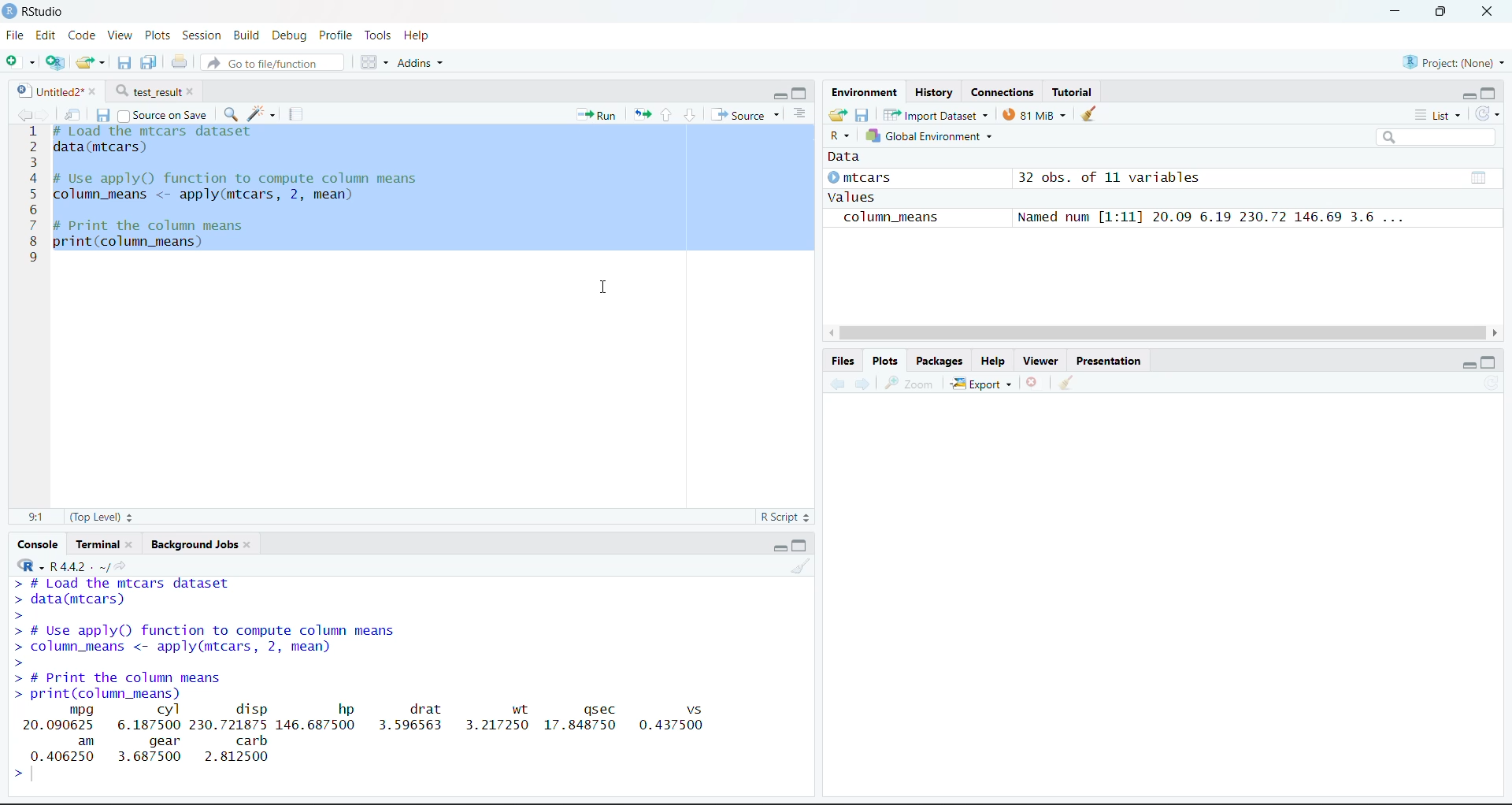 The height and width of the screenshot is (805, 1512). I want to click on Find/Replace, so click(232, 111).